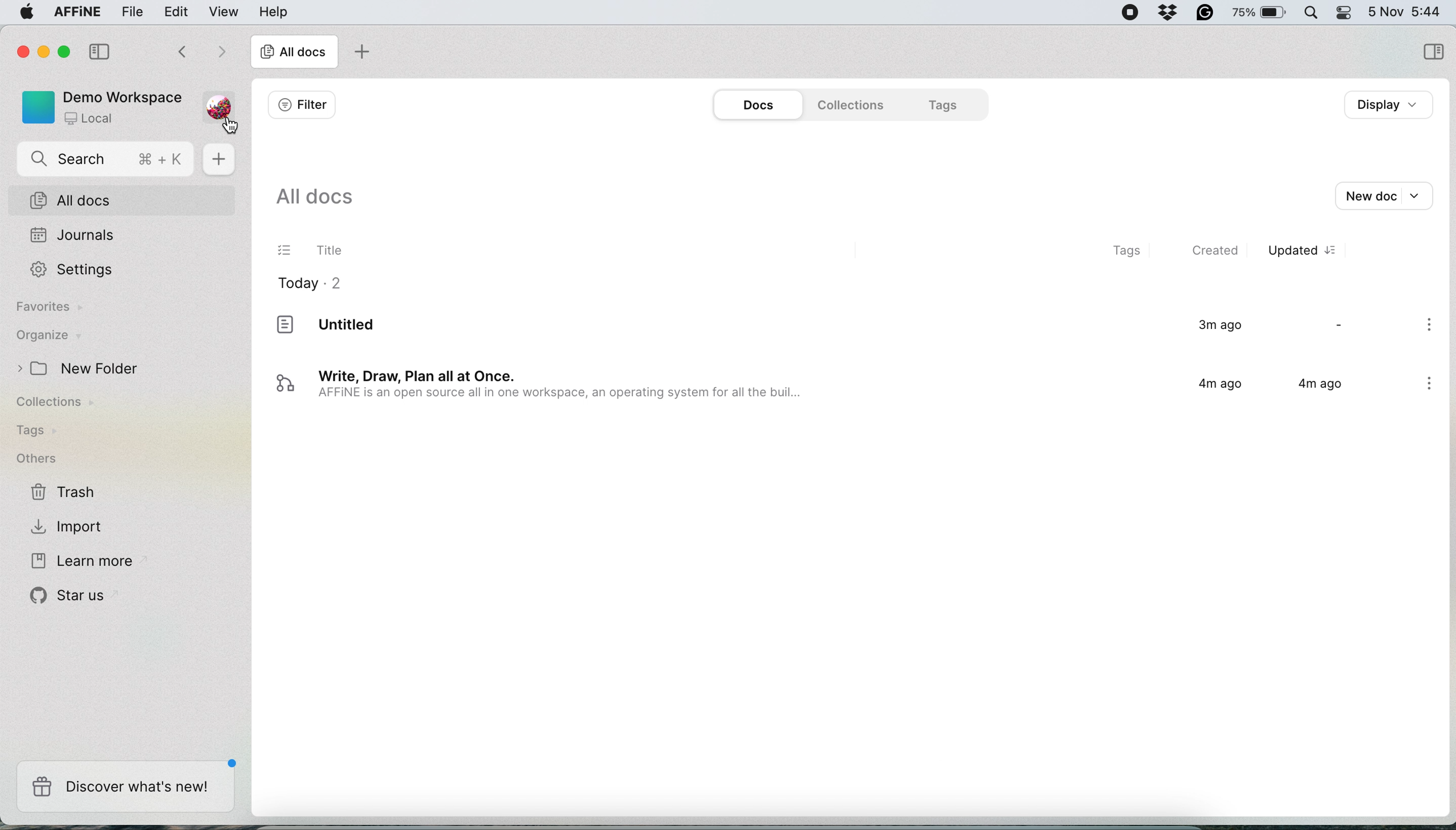 The image size is (1456, 830). I want to click on learn more, so click(79, 562).